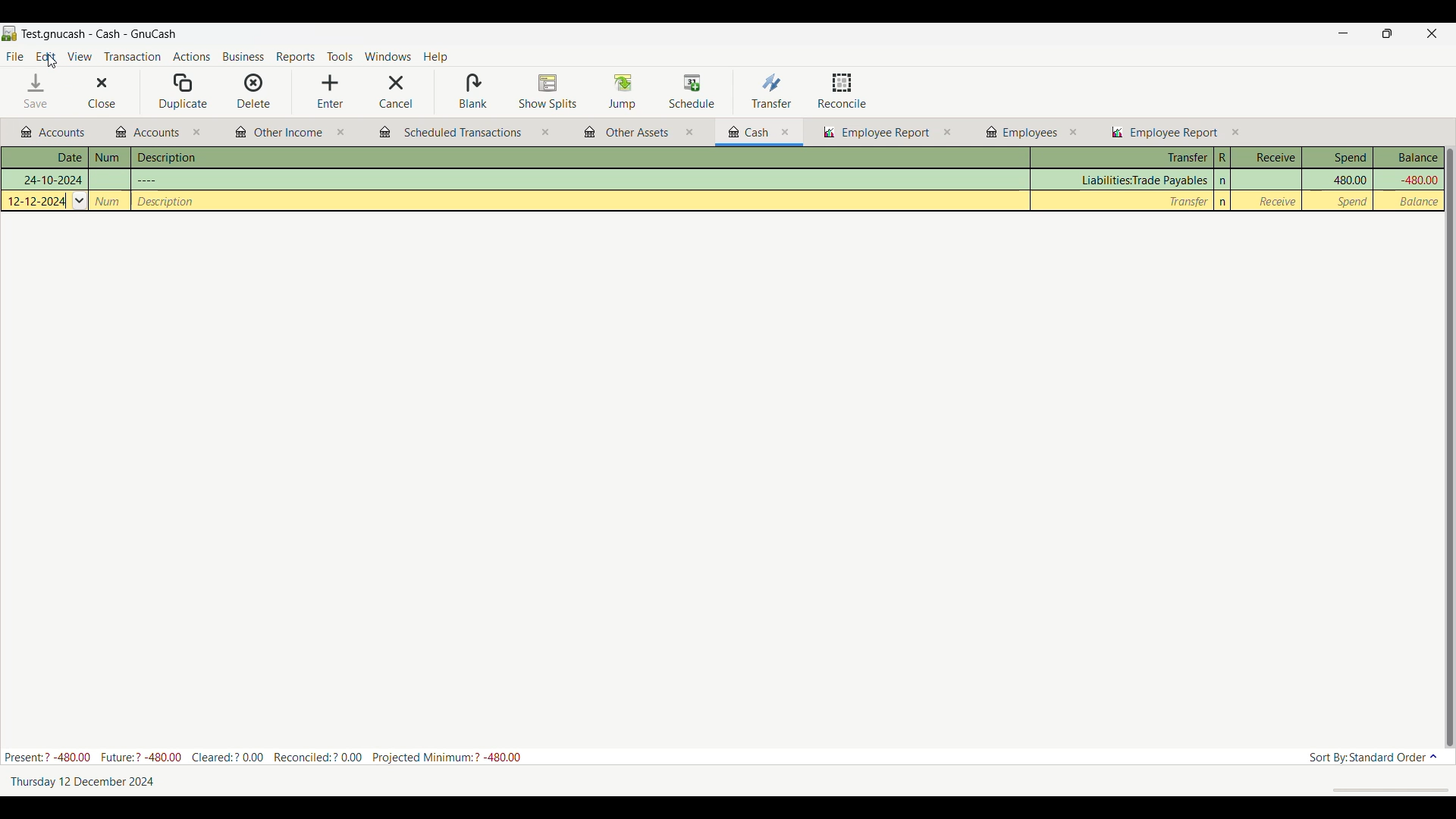 This screenshot has height=819, width=1456. I want to click on Receive column, so click(1277, 201).